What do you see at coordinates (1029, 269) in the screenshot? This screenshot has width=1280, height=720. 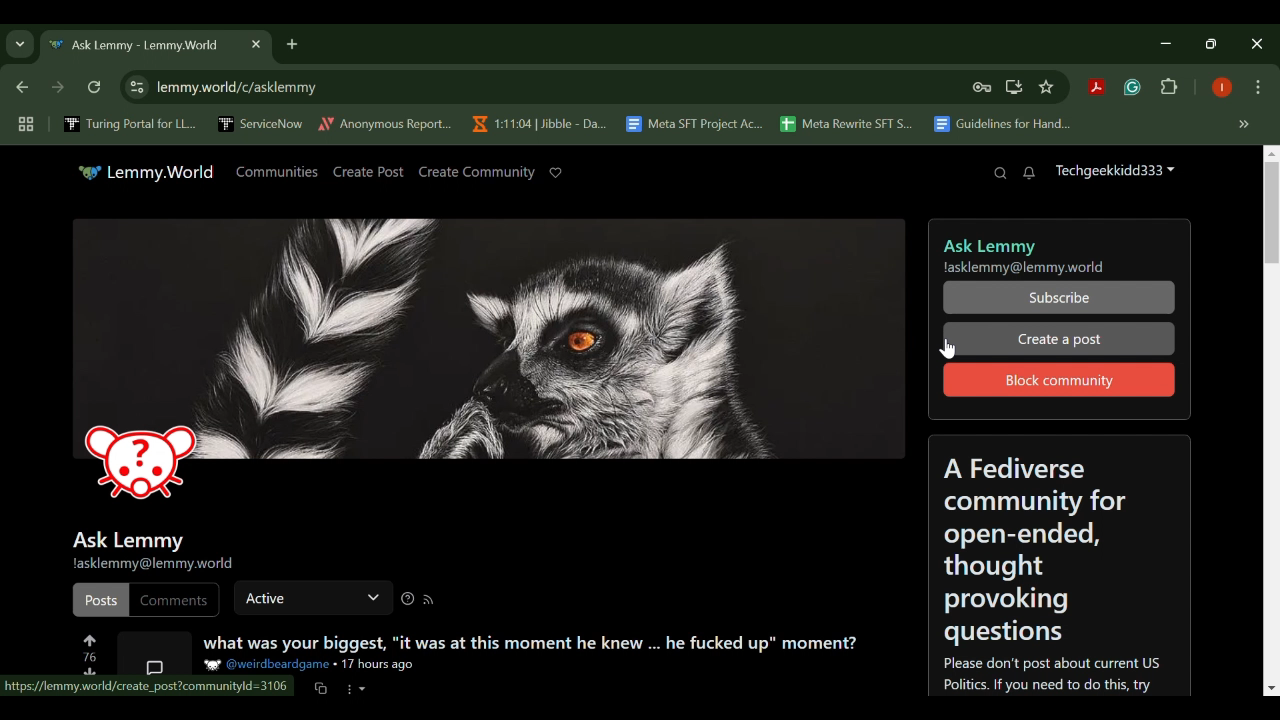 I see `!asklemmy@lemmy.world` at bounding box center [1029, 269].